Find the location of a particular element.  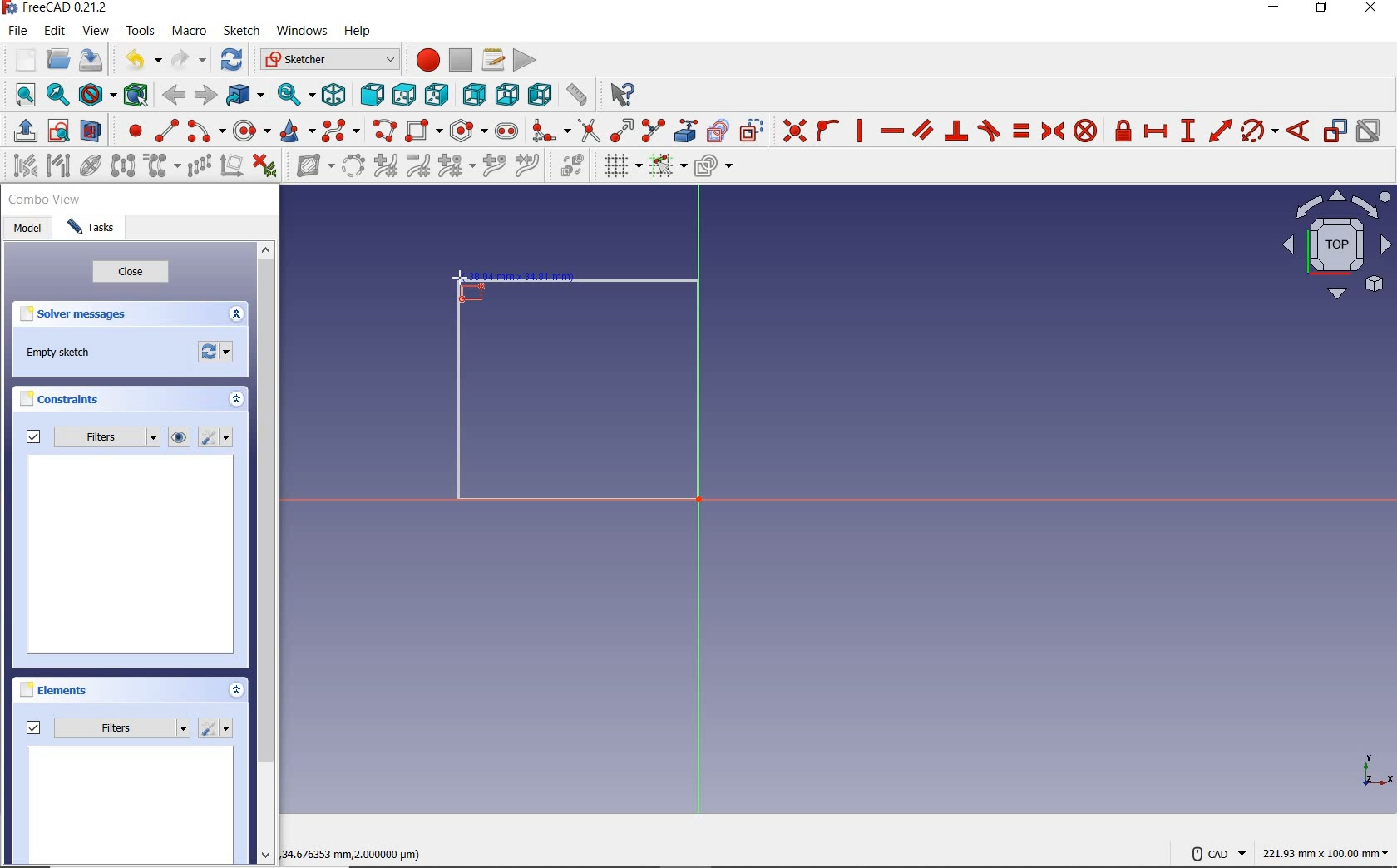

create point is located at coordinates (129, 131).